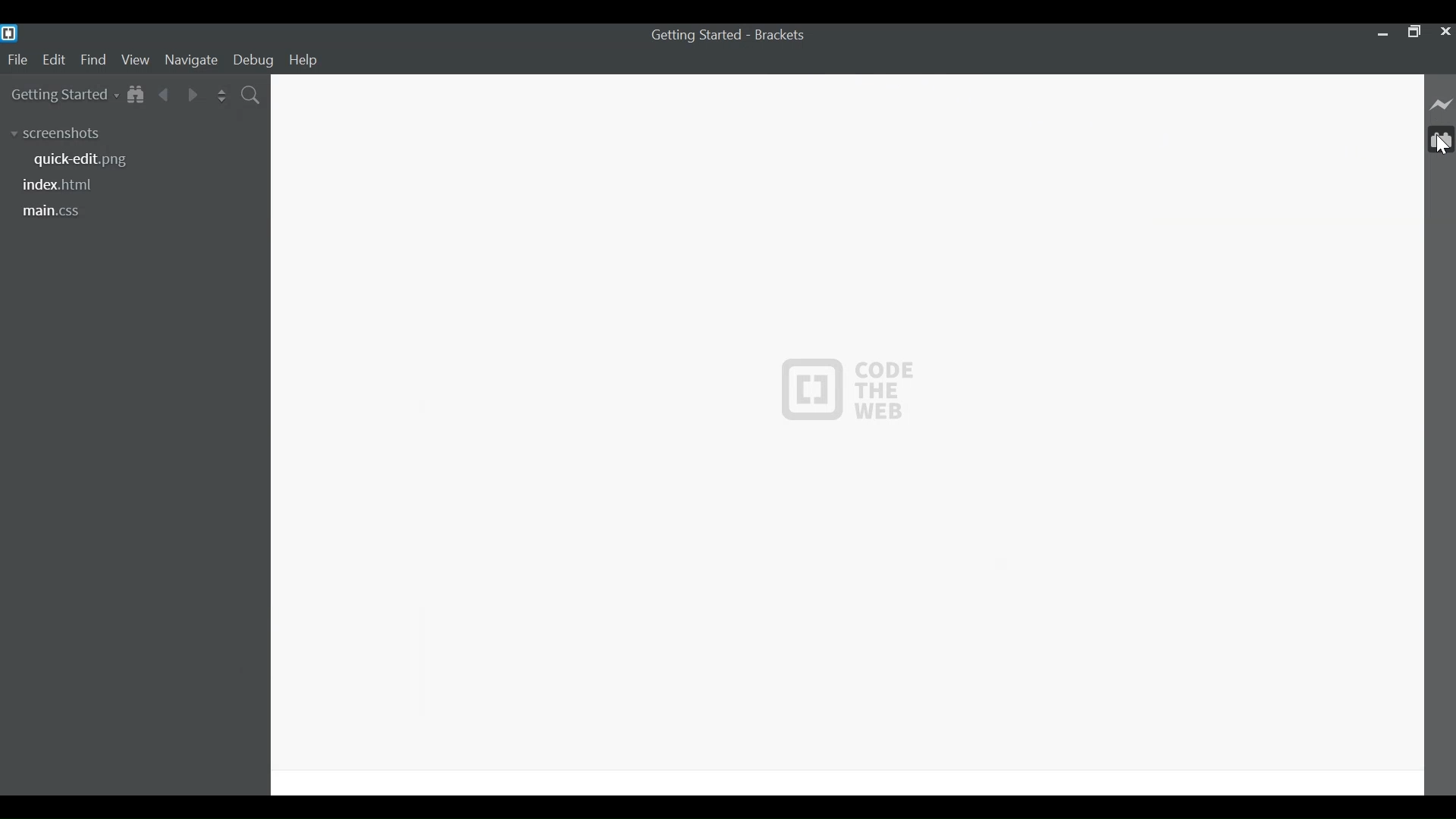 The image size is (1456, 819). What do you see at coordinates (135, 61) in the screenshot?
I see `View` at bounding box center [135, 61].